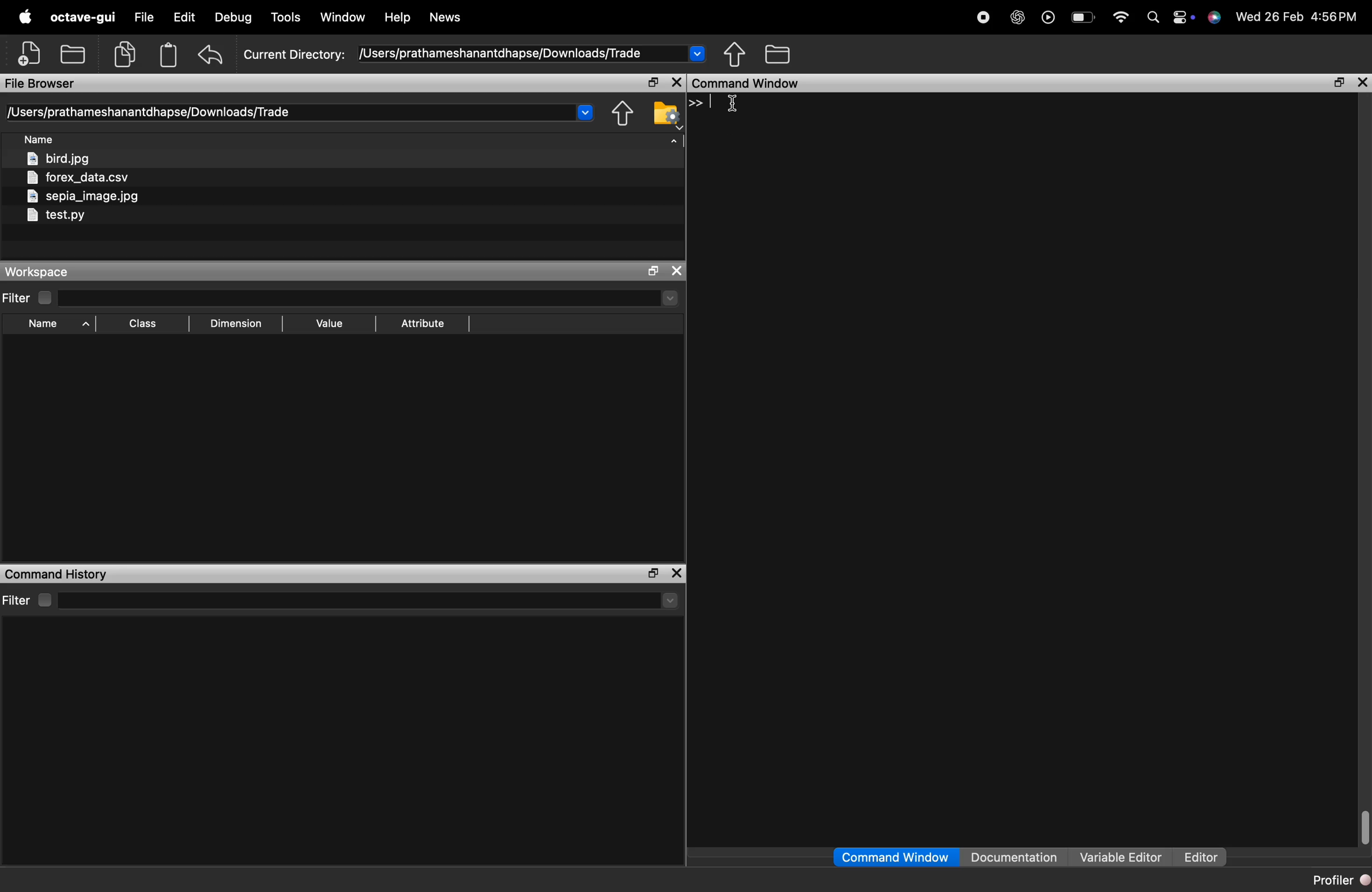  I want to click on Tools, so click(286, 17).